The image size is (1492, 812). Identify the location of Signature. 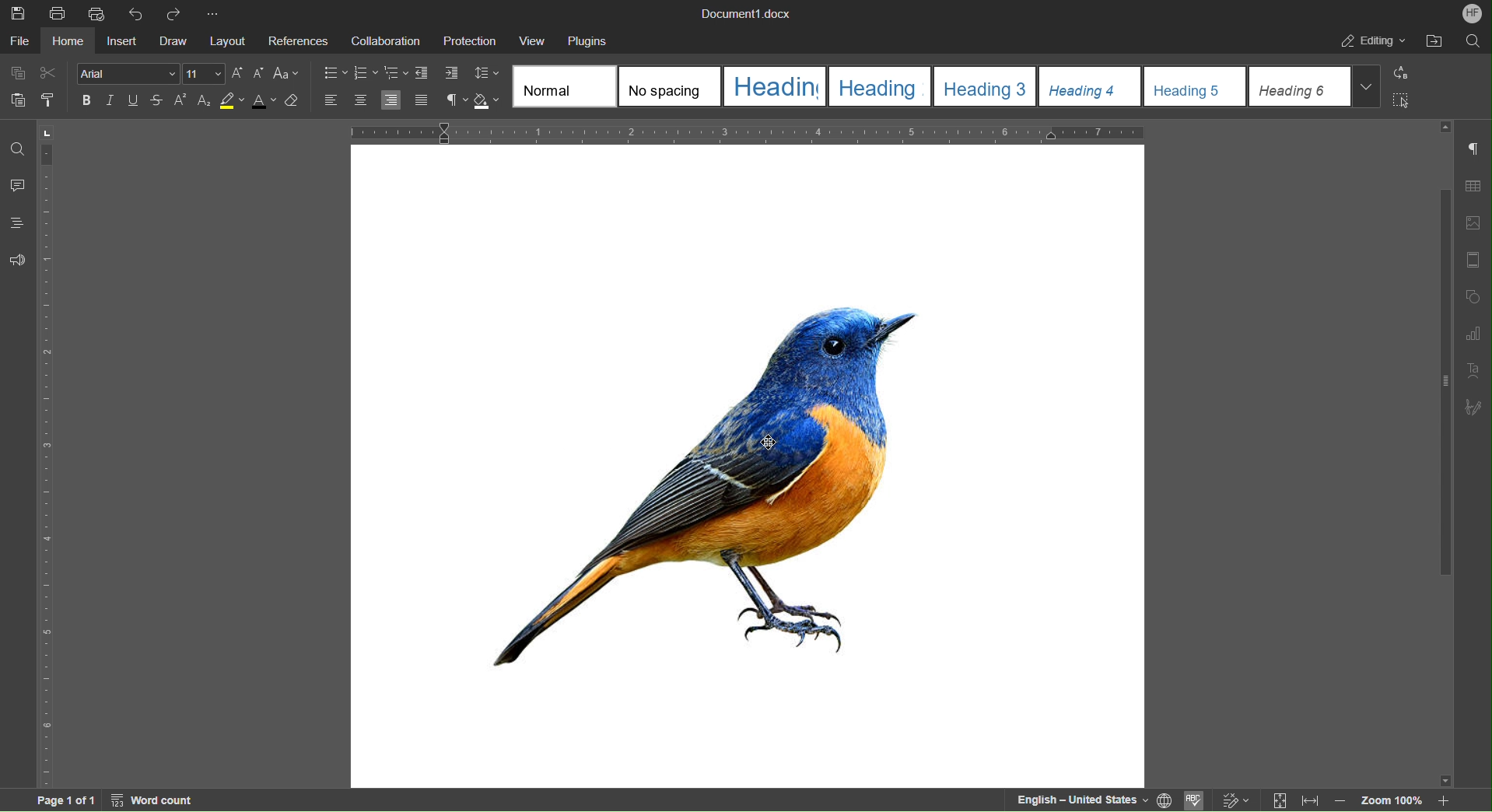
(1473, 408).